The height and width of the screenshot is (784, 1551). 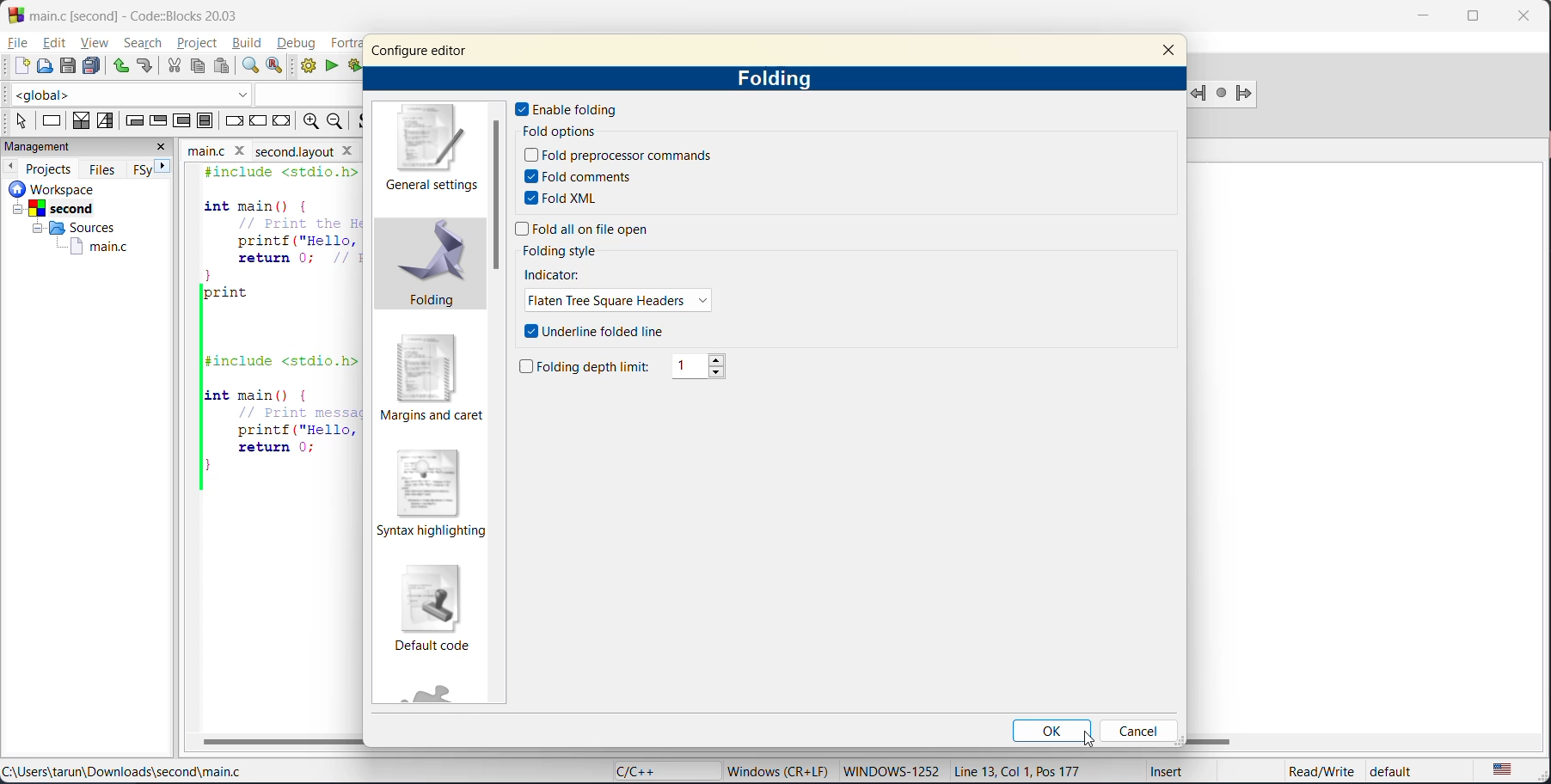 I want to click on folding, so click(x=434, y=269).